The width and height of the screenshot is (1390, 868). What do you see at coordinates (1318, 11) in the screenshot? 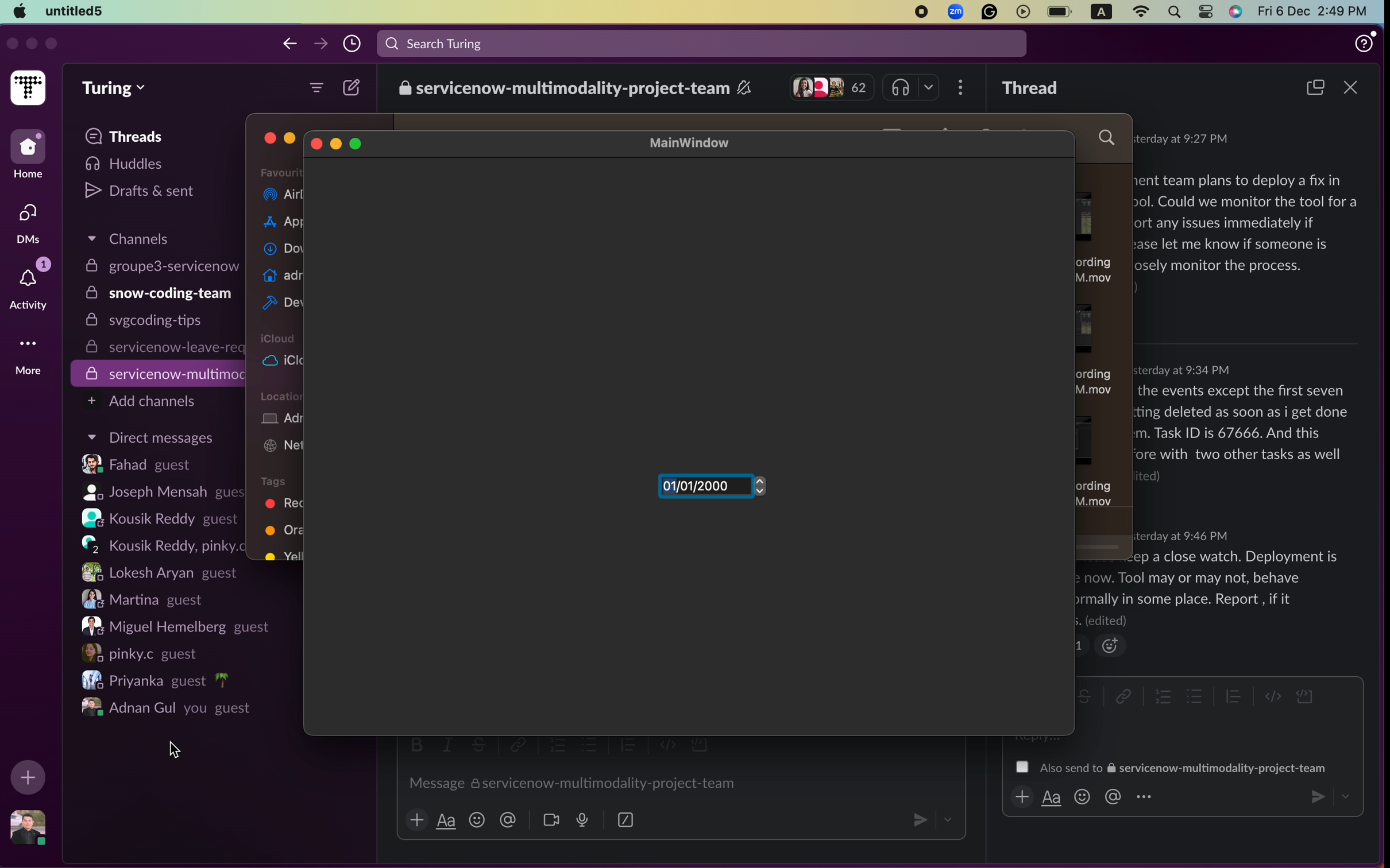
I see `date and time` at bounding box center [1318, 11].